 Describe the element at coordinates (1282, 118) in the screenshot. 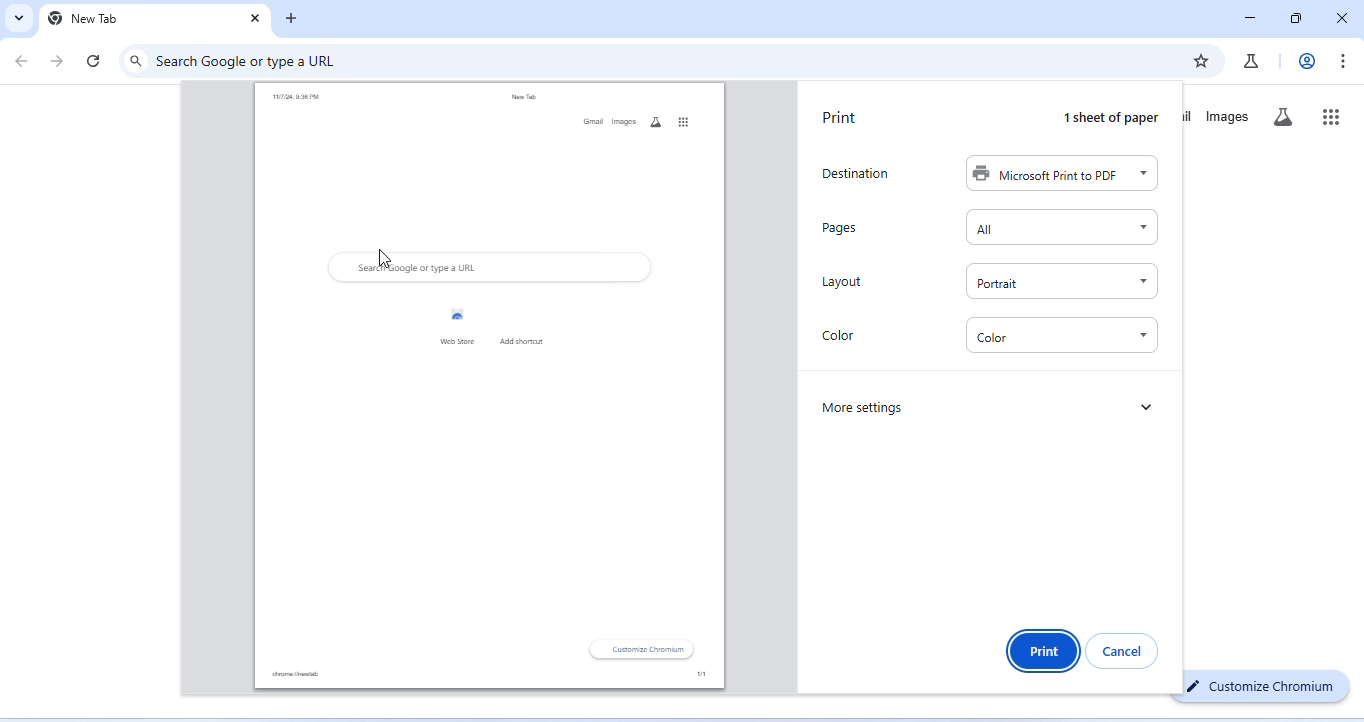

I see `search labs` at that location.